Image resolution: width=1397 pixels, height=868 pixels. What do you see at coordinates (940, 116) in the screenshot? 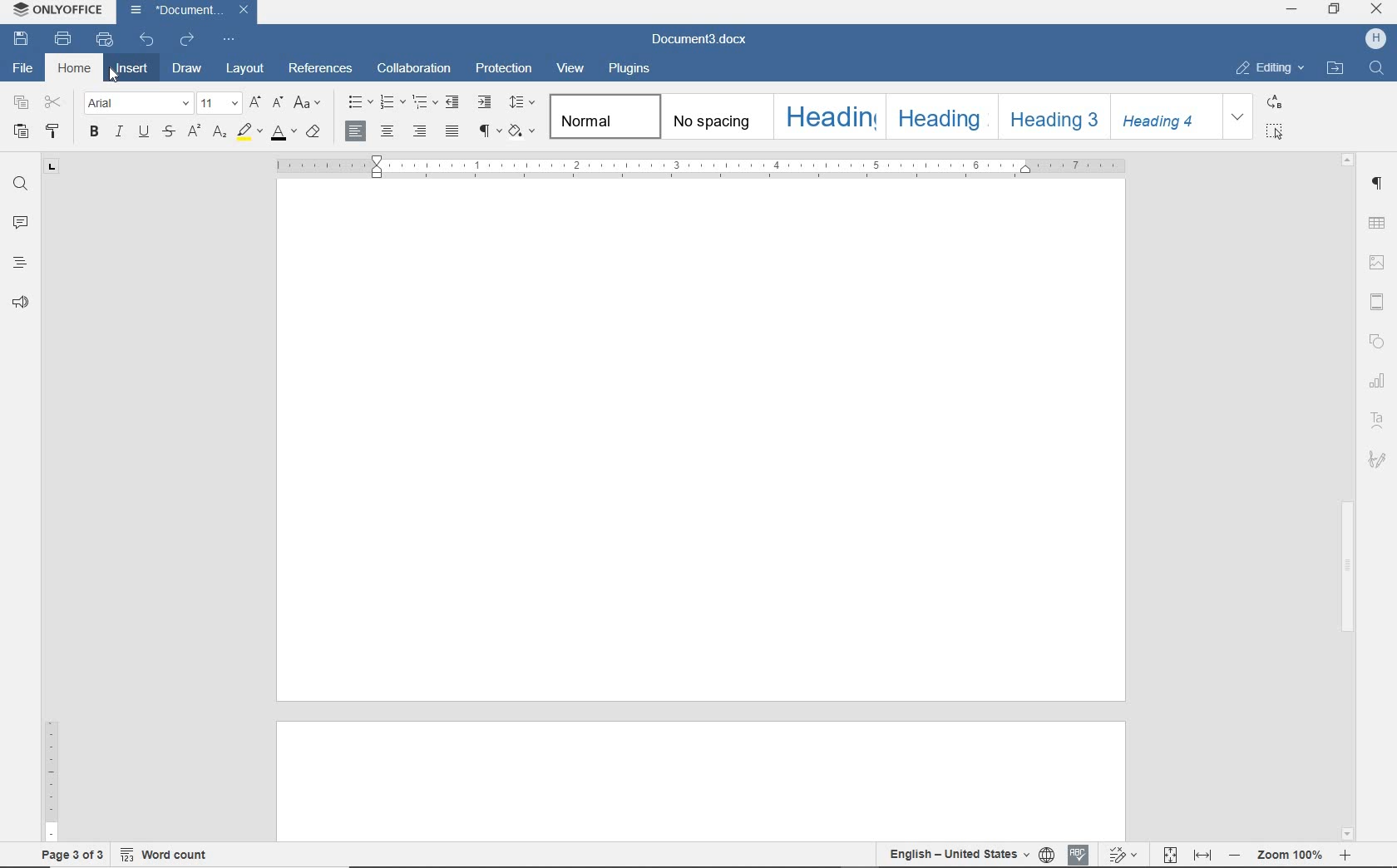
I see `HEADING 2` at bounding box center [940, 116].